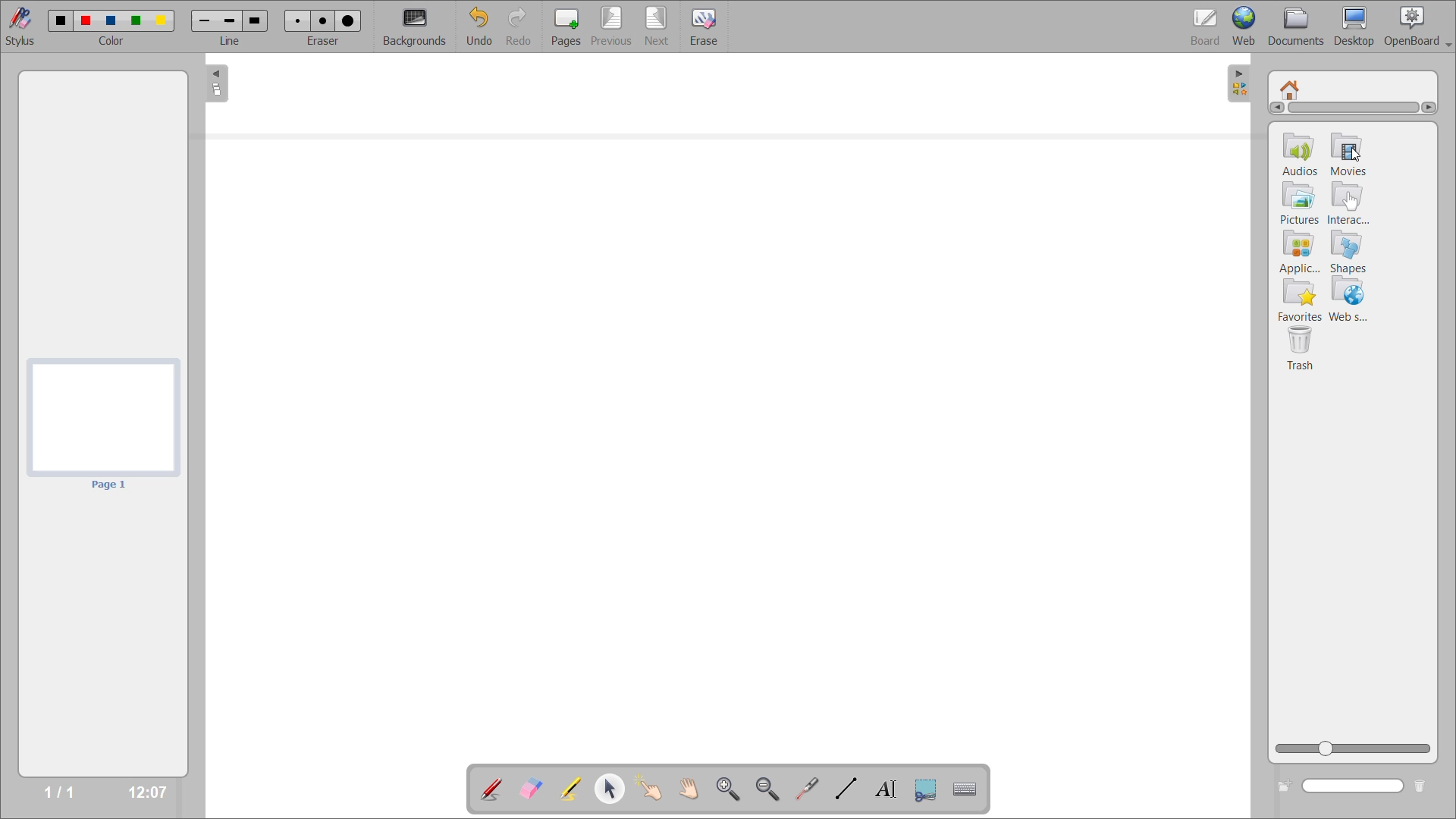 This screenshot has height=819, width=1456. What do you see at coordinates (348, 20) in the screenshot?
I see `eraser 3` at bounding box center [348, 20].